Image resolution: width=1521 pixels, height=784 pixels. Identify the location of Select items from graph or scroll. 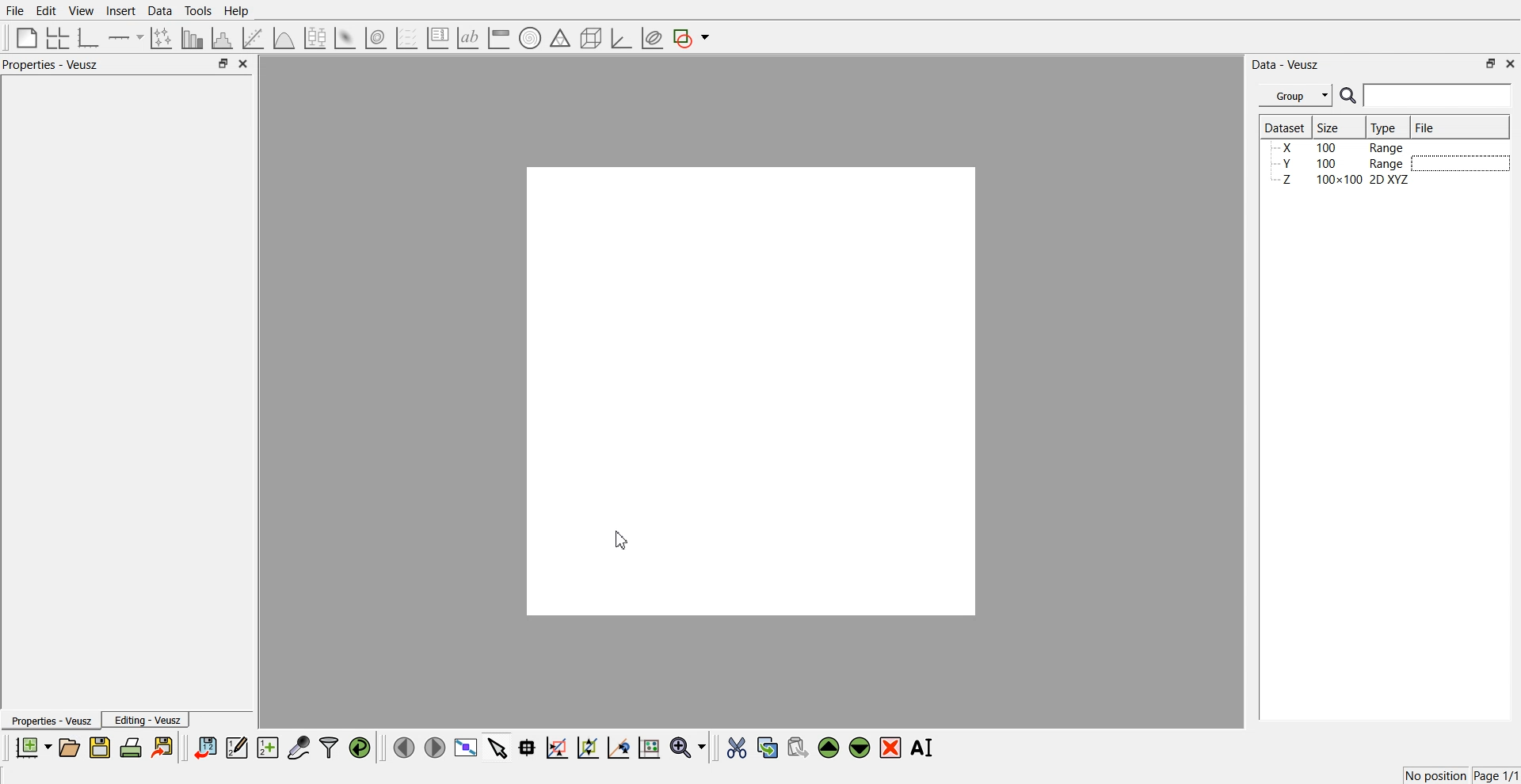
(498, 746).